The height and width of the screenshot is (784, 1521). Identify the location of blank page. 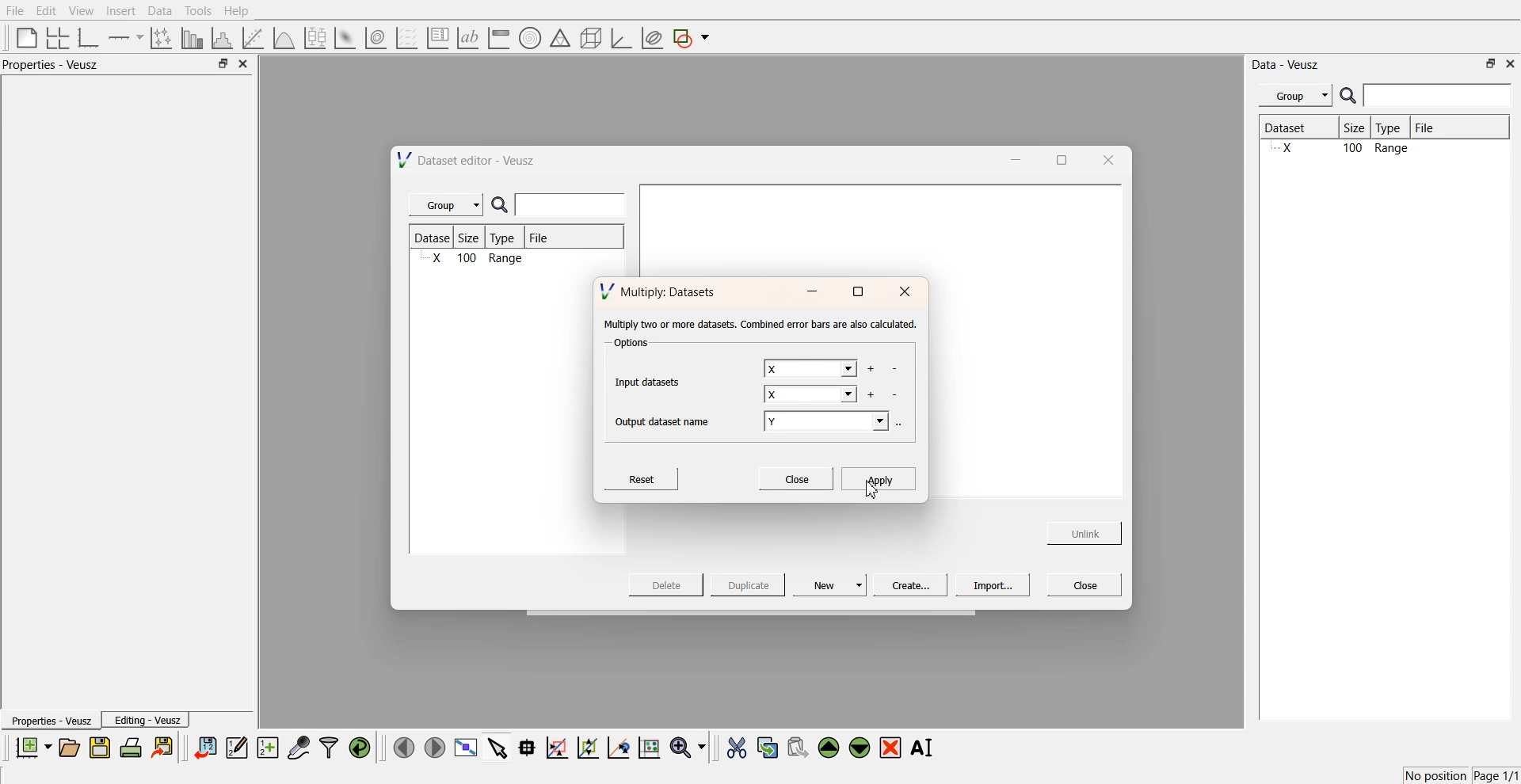
(23, 36).